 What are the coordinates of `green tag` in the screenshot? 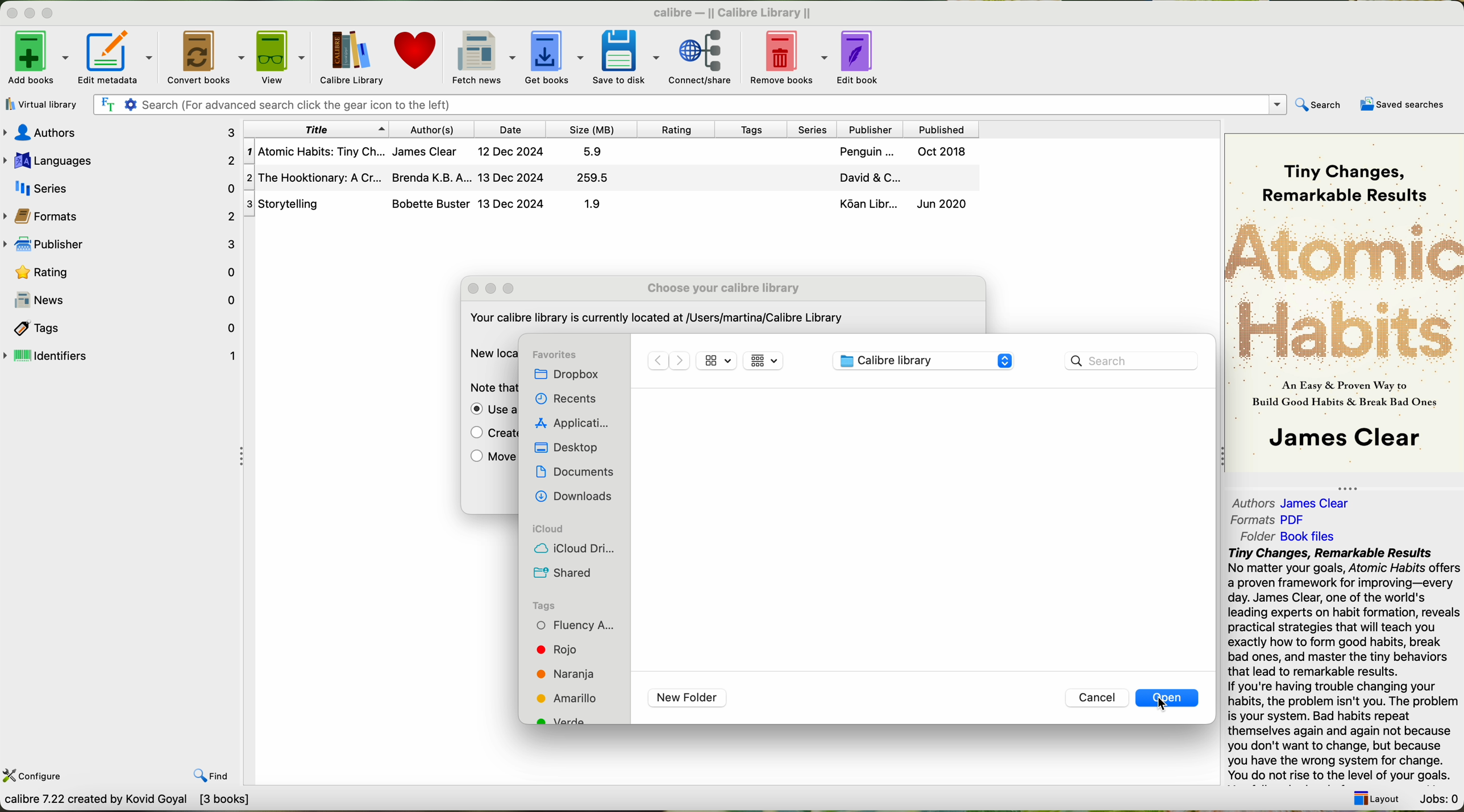 It's located at (564, 719).